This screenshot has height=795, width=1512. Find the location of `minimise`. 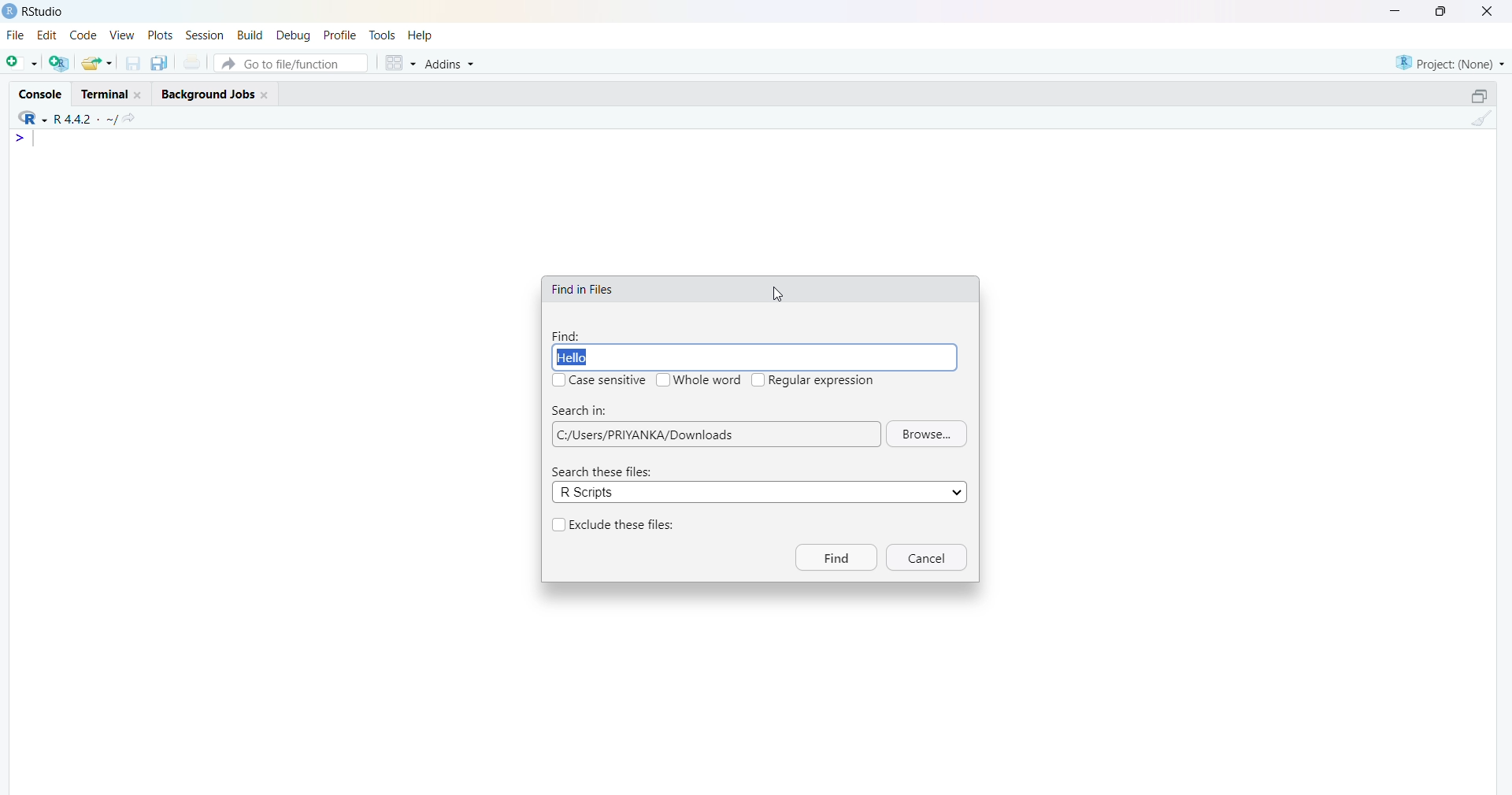

minimise is located at coordinates (1397, 9).